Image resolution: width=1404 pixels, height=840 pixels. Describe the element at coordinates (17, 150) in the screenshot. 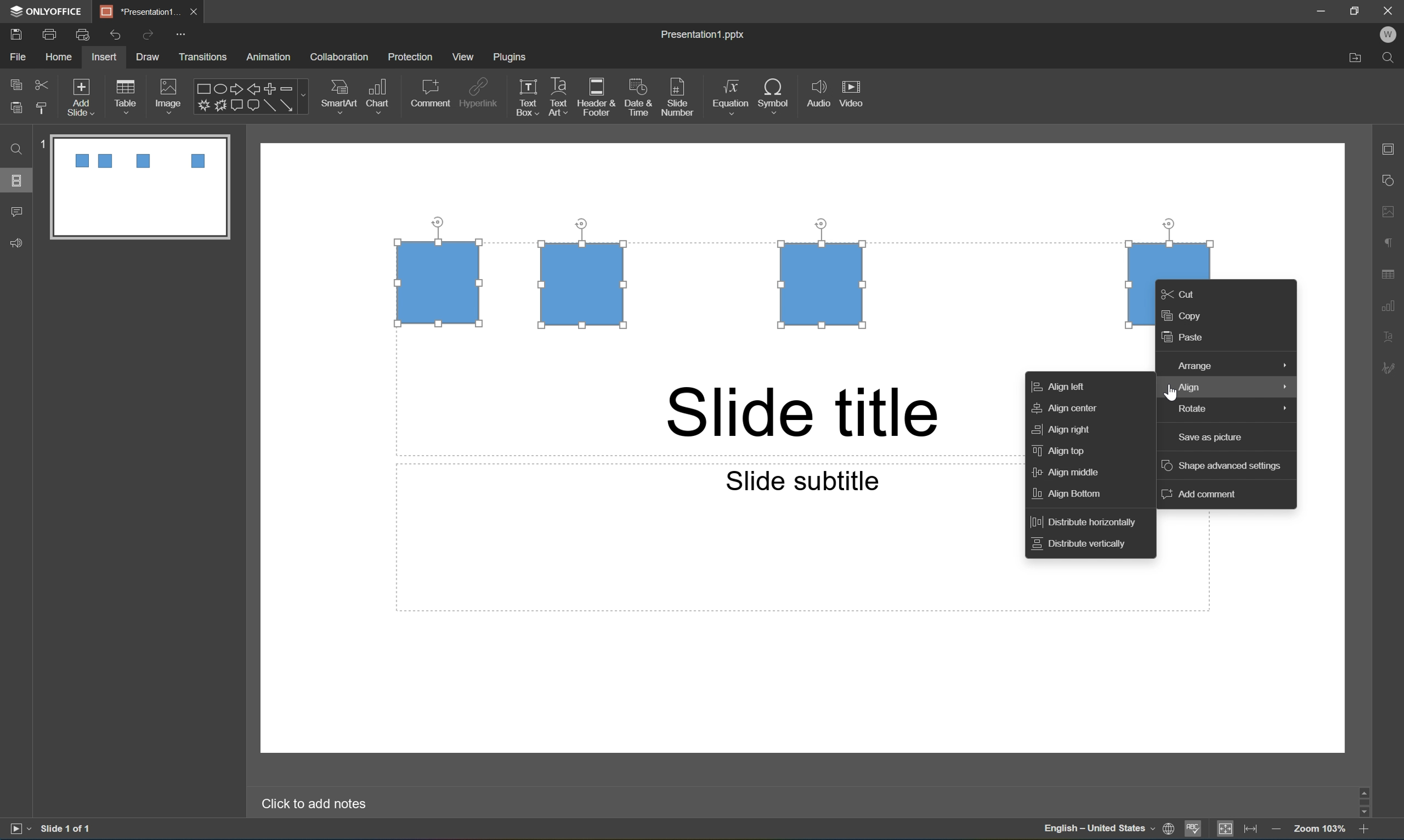

I see `Find` at that location.